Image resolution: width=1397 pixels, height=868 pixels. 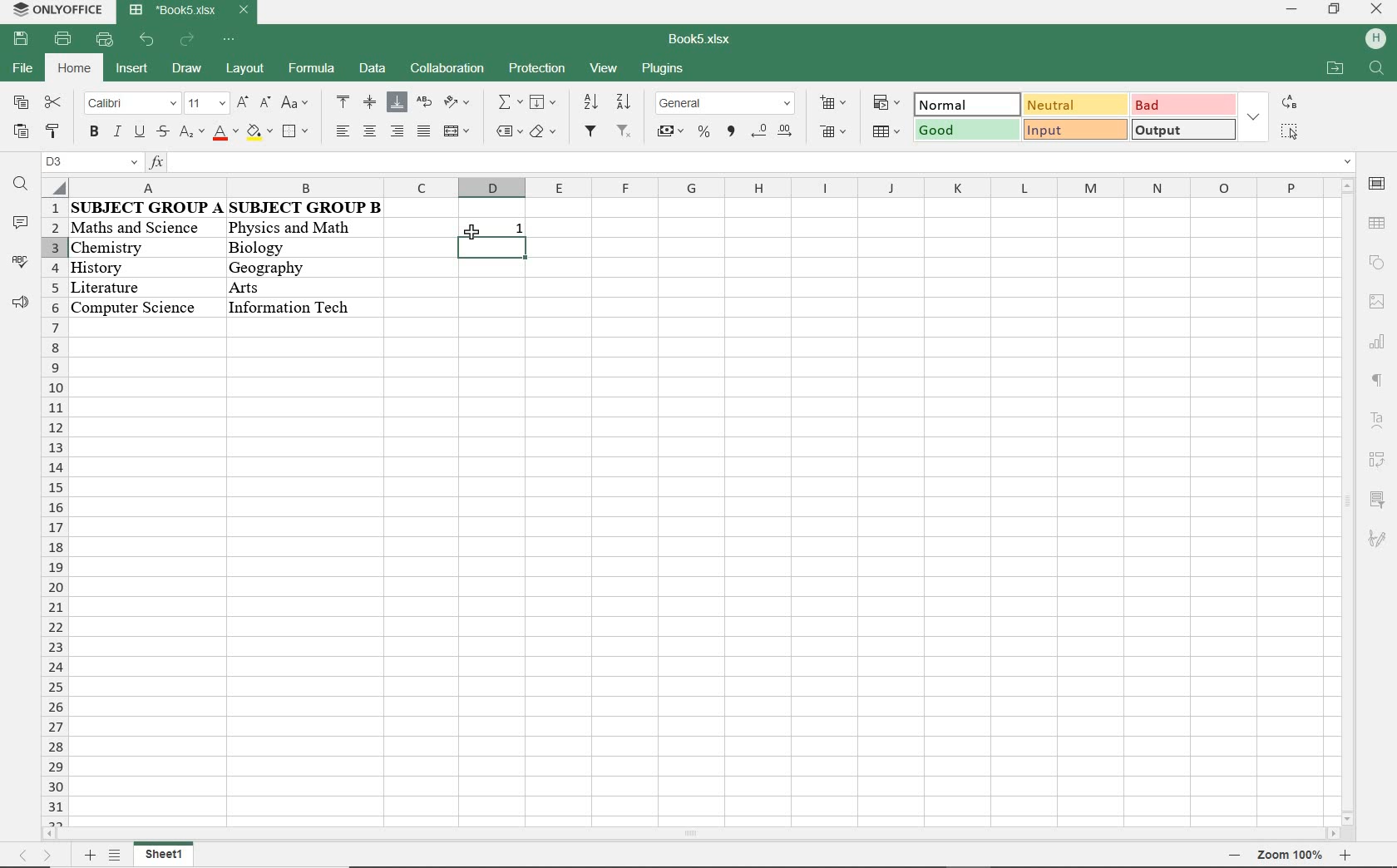 I want to click on add sheet, so click(x=87, y=857).